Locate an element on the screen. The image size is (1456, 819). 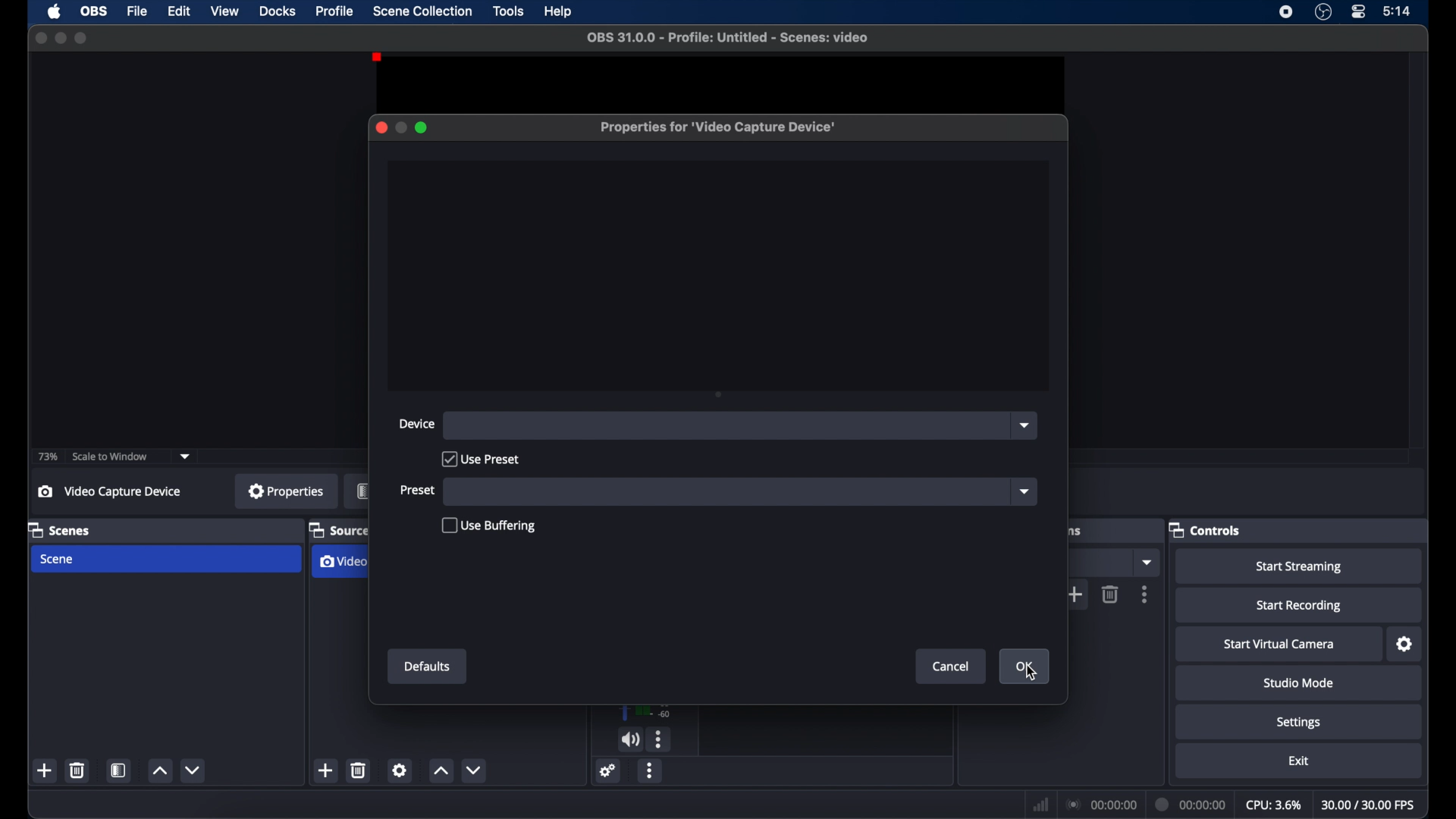
properties for video capture device is located at coordinates (716, 127).